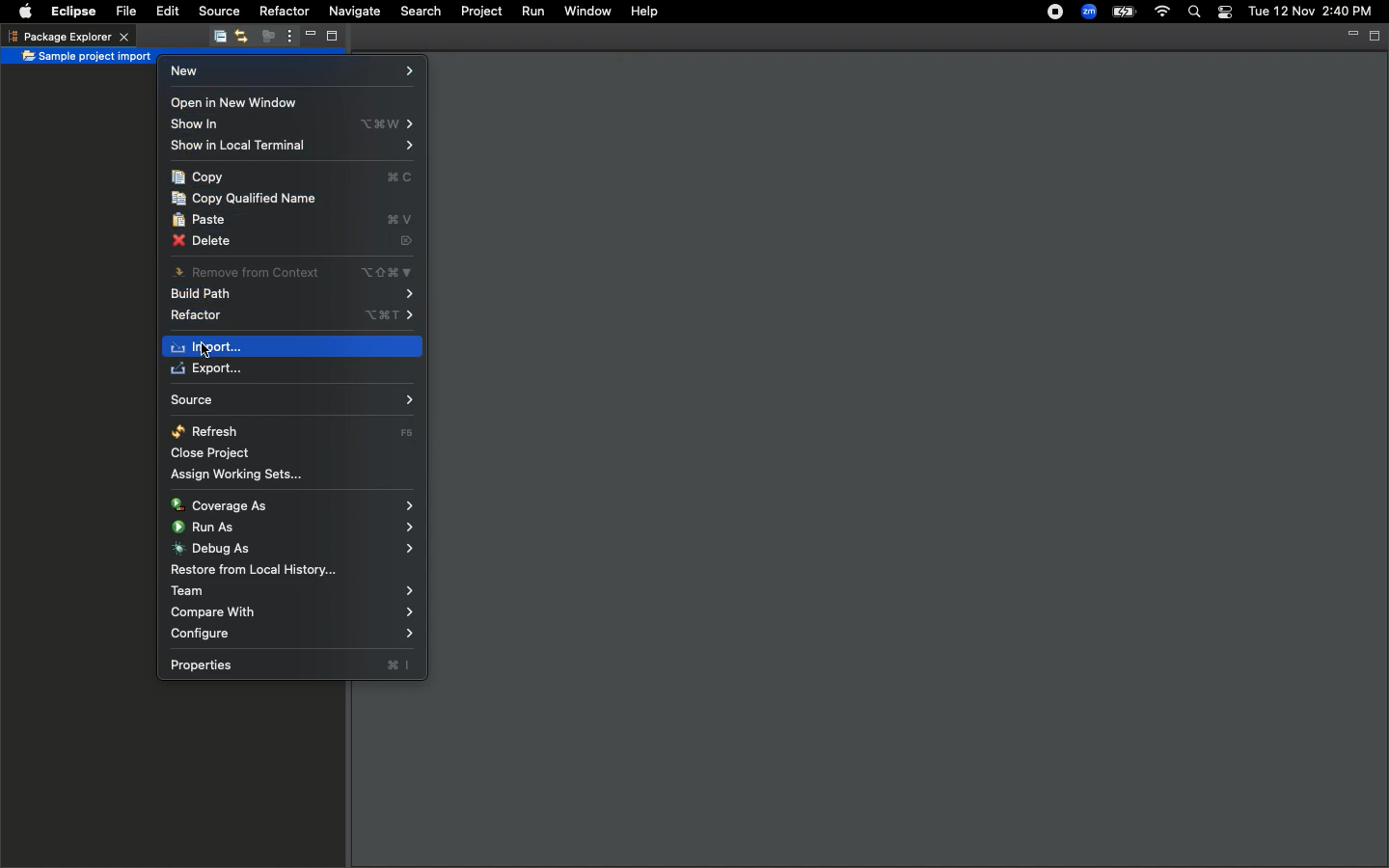  Describe the element at coordinates (1087, 12) in the screenshot. I see `Zoom` at that location.